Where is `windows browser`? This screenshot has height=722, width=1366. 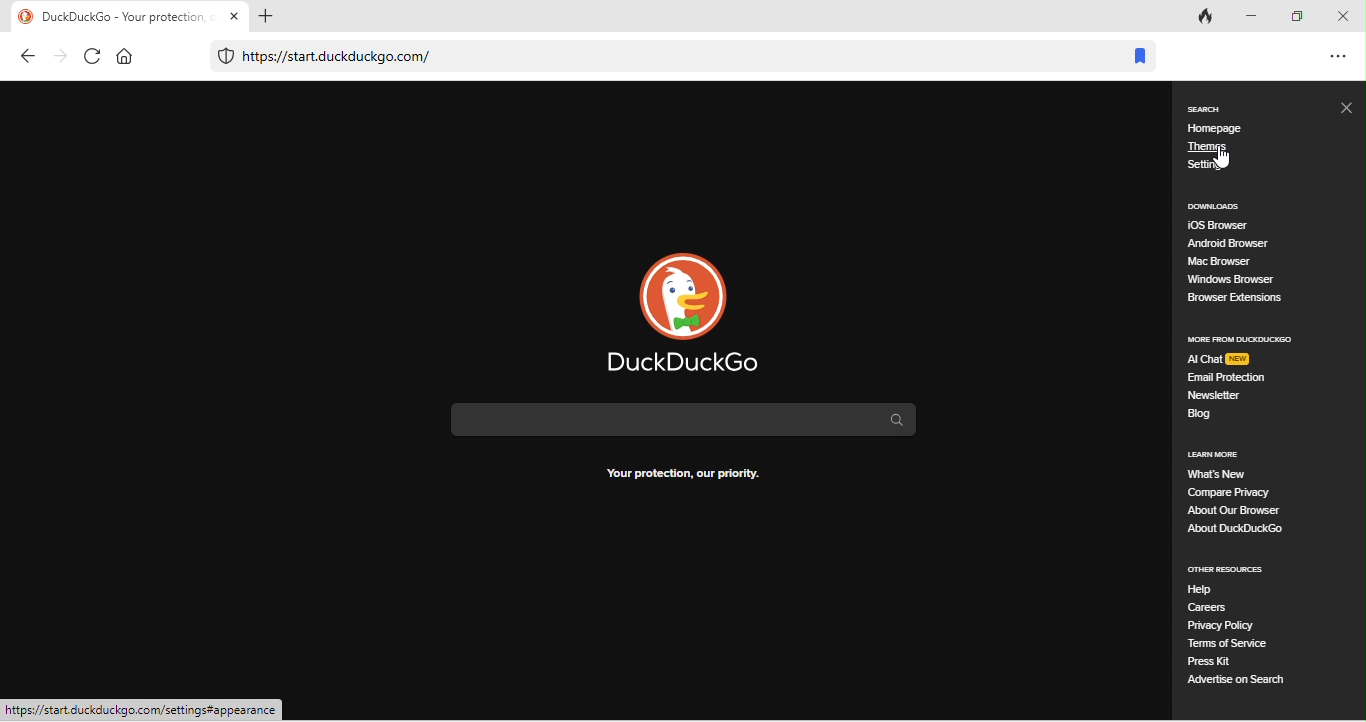
windows browser is located at coordinates (1232, 281).